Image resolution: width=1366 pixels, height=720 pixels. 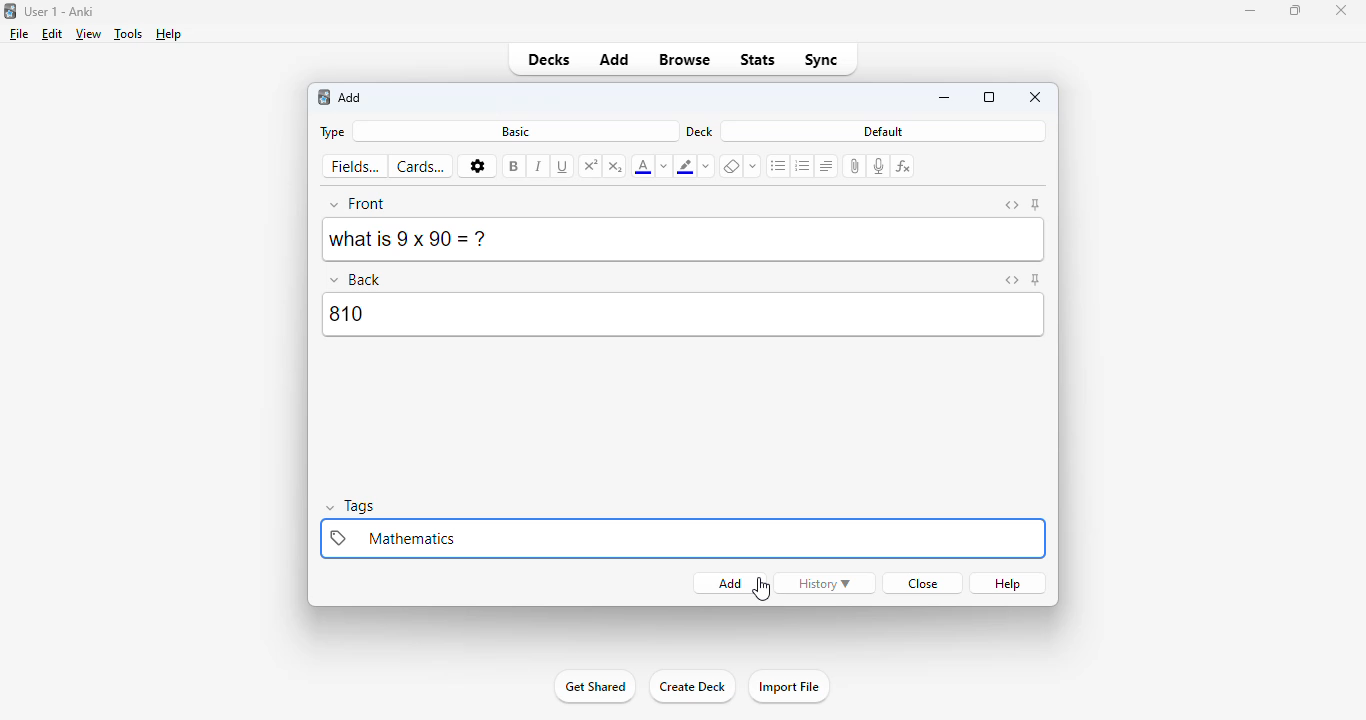 I want to click on tools, so click(x=129, y=34).